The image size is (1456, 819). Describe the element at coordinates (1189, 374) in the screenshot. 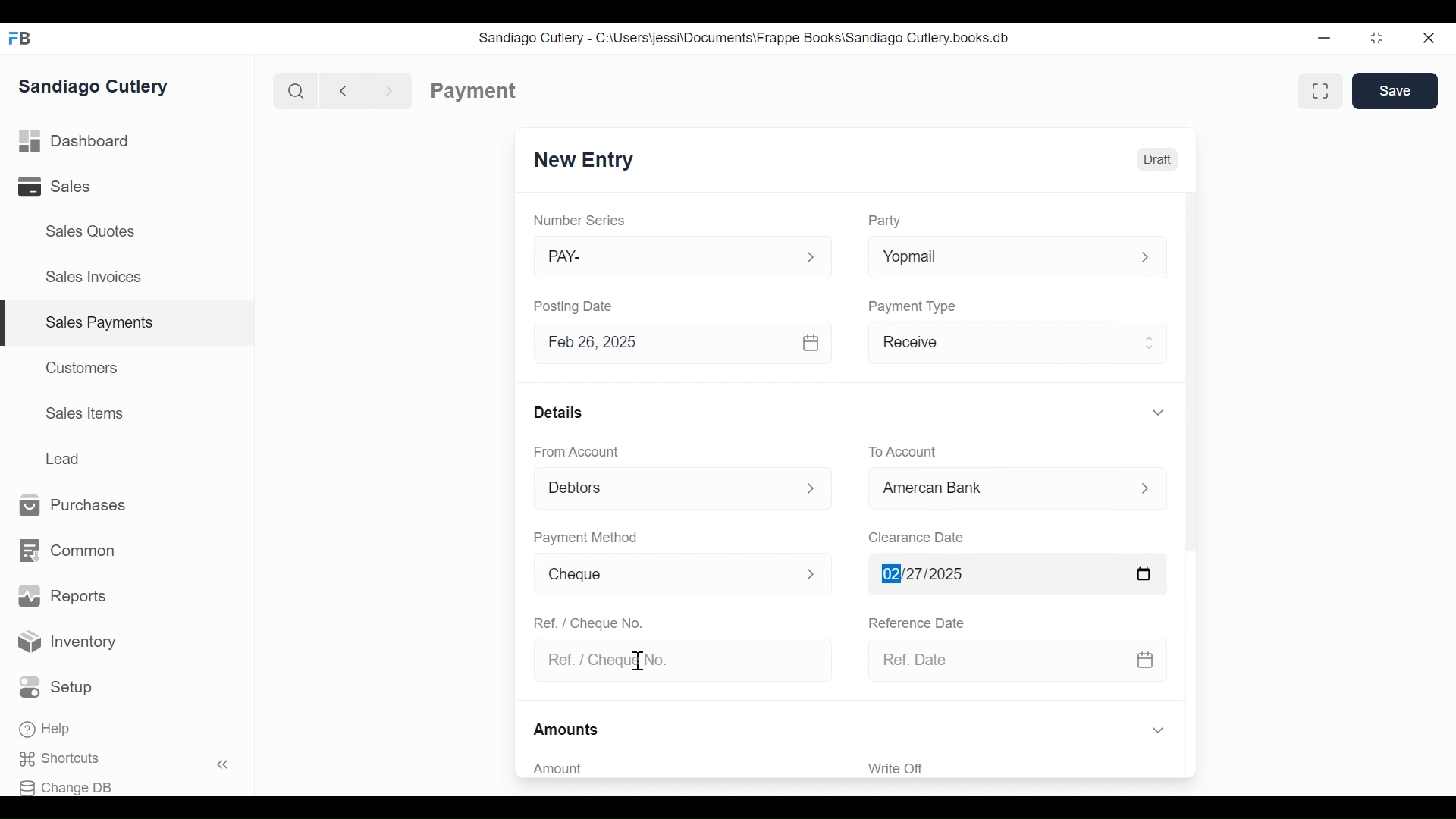

I see `Vertical Scroll bar` at that location.